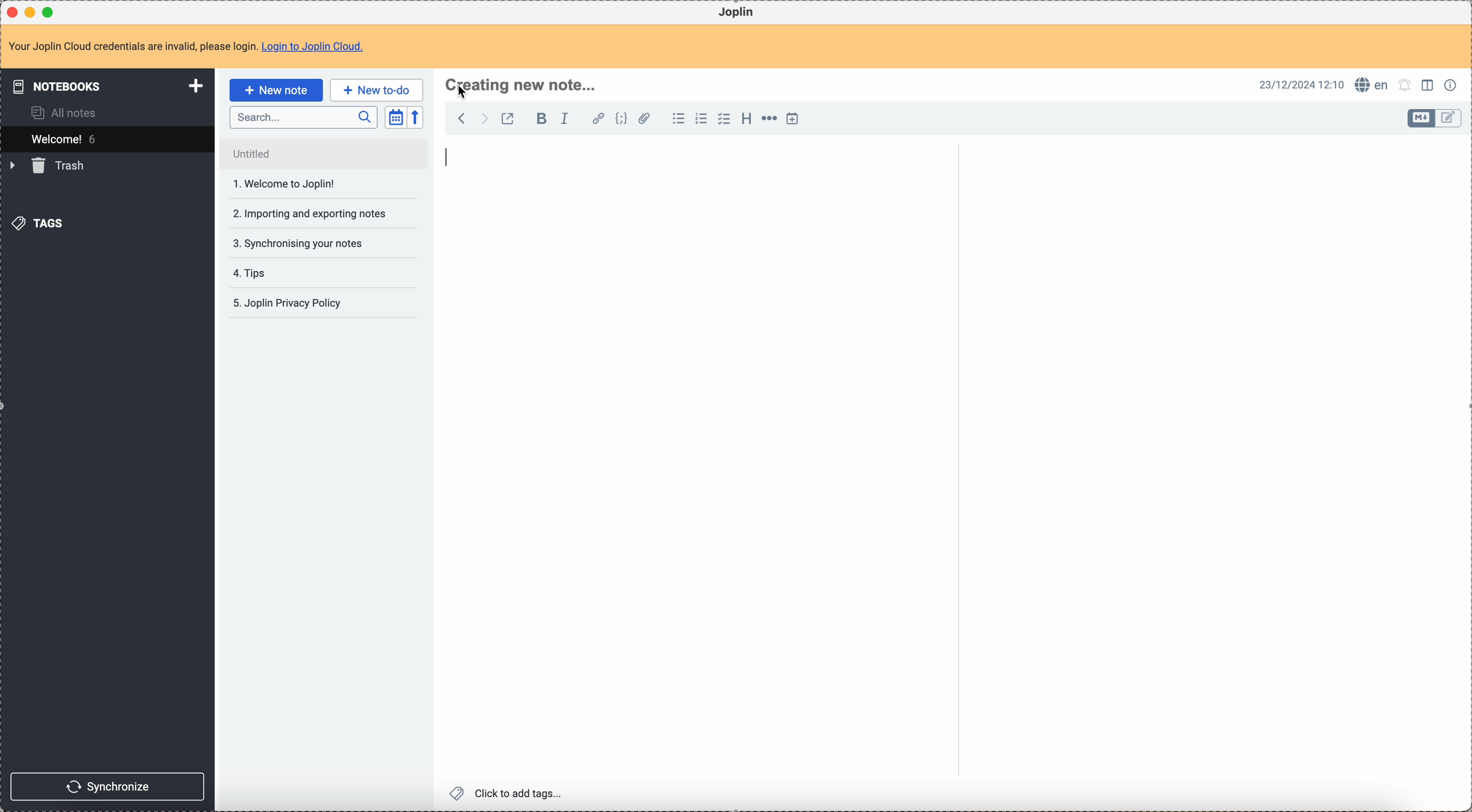 The width and height of the screenshot is (1472, 812). What do you see at coordinates (521, 86) in the screenshot?
I see `click on title` at bounding box center [521, 86].